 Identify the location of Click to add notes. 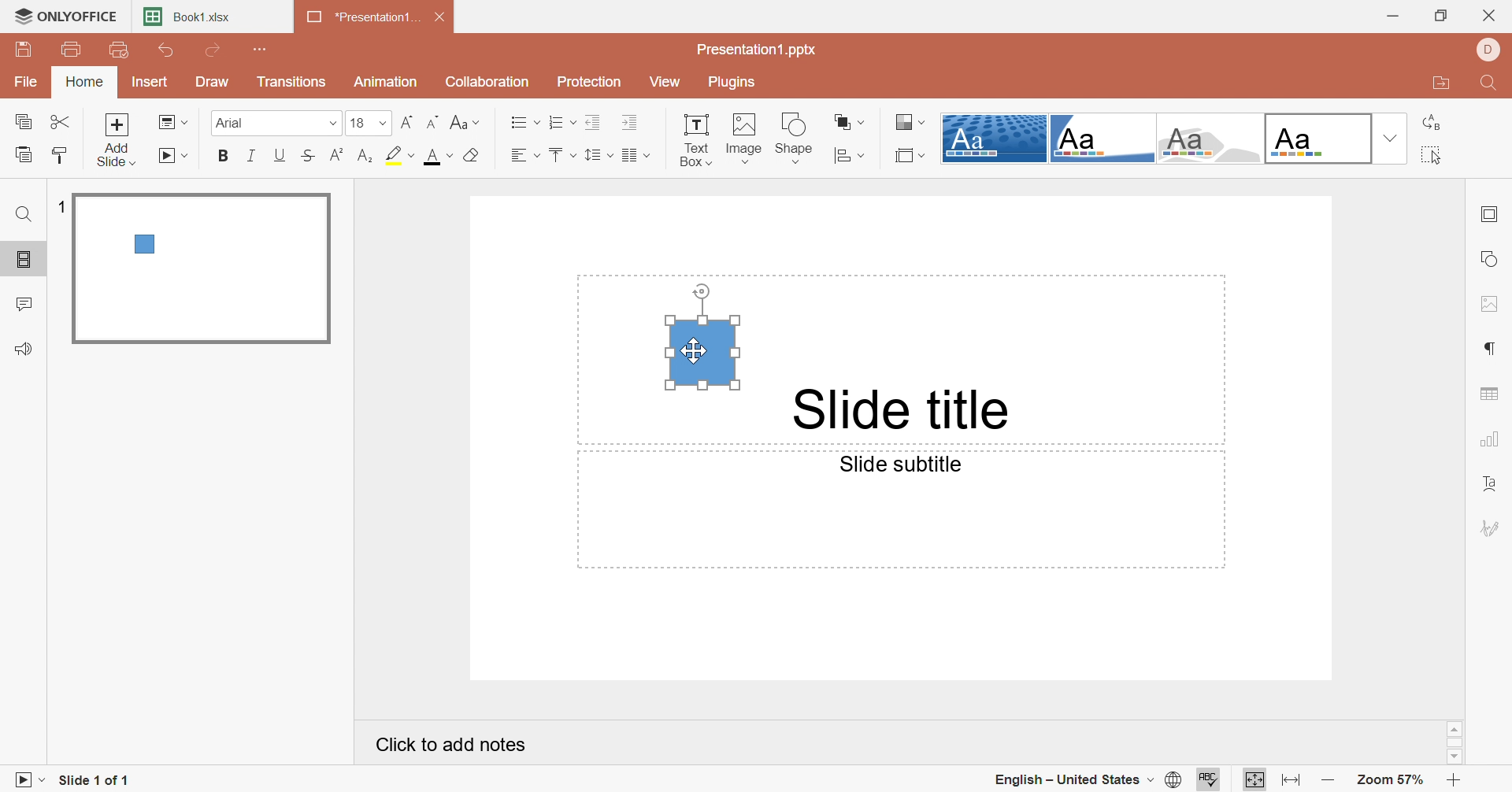
(452, 747).